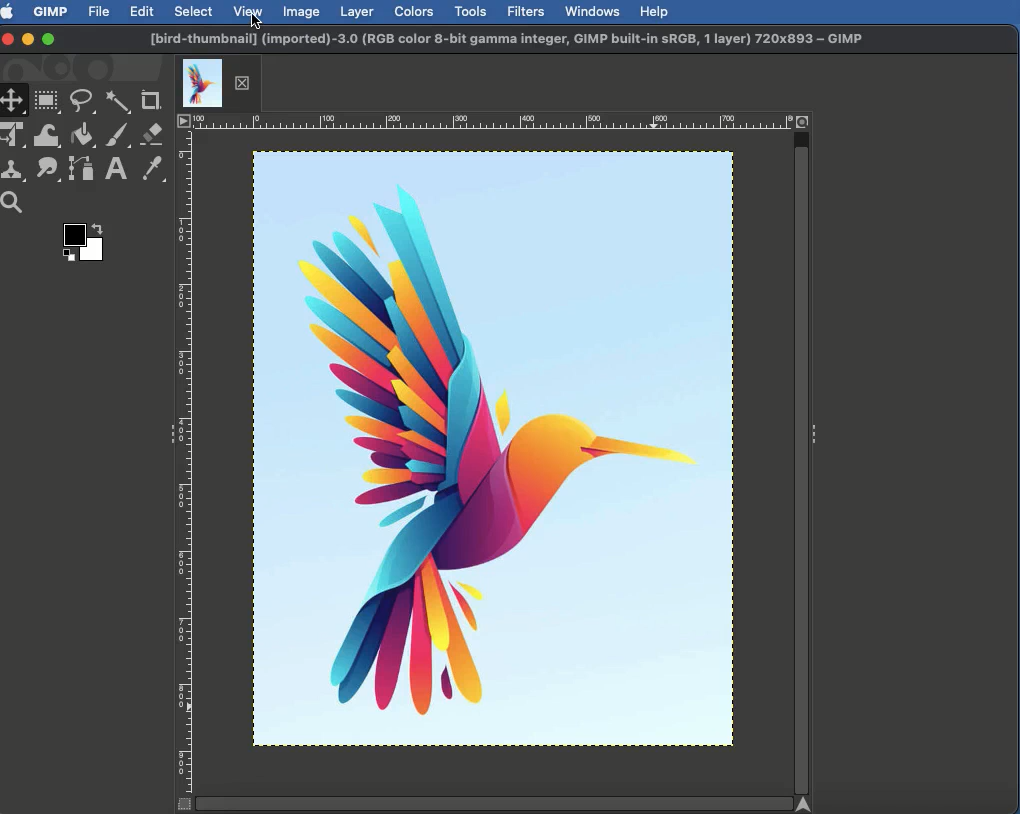  Describe the element at coordinates (261, 23) in the screenshot. I see `cursor` at that location.